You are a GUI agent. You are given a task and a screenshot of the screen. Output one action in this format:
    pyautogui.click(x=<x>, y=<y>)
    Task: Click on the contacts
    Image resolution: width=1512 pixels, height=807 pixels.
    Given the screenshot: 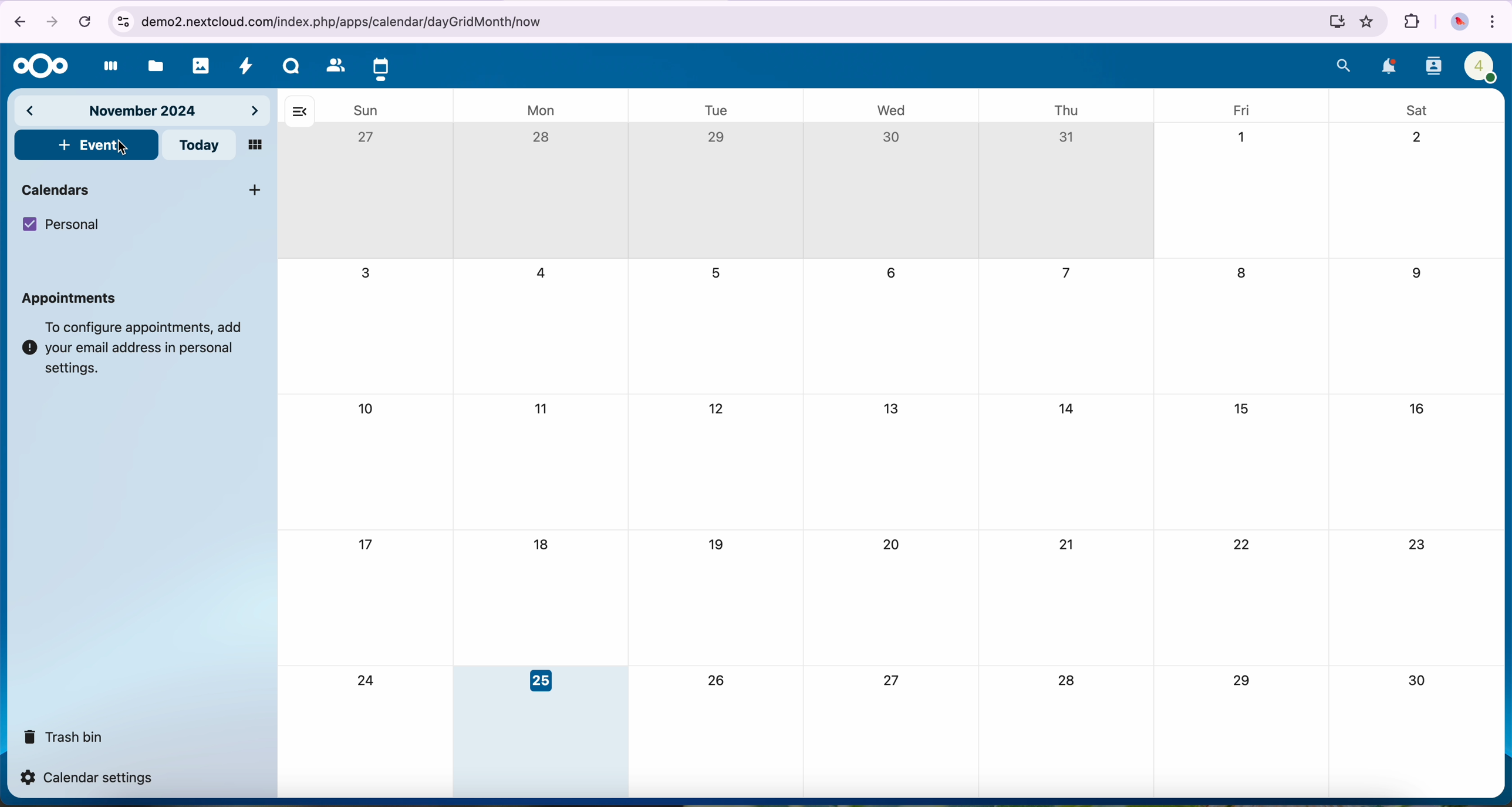 What is the action you would take?
    pyautogui.click(x=1432, y=67)
    